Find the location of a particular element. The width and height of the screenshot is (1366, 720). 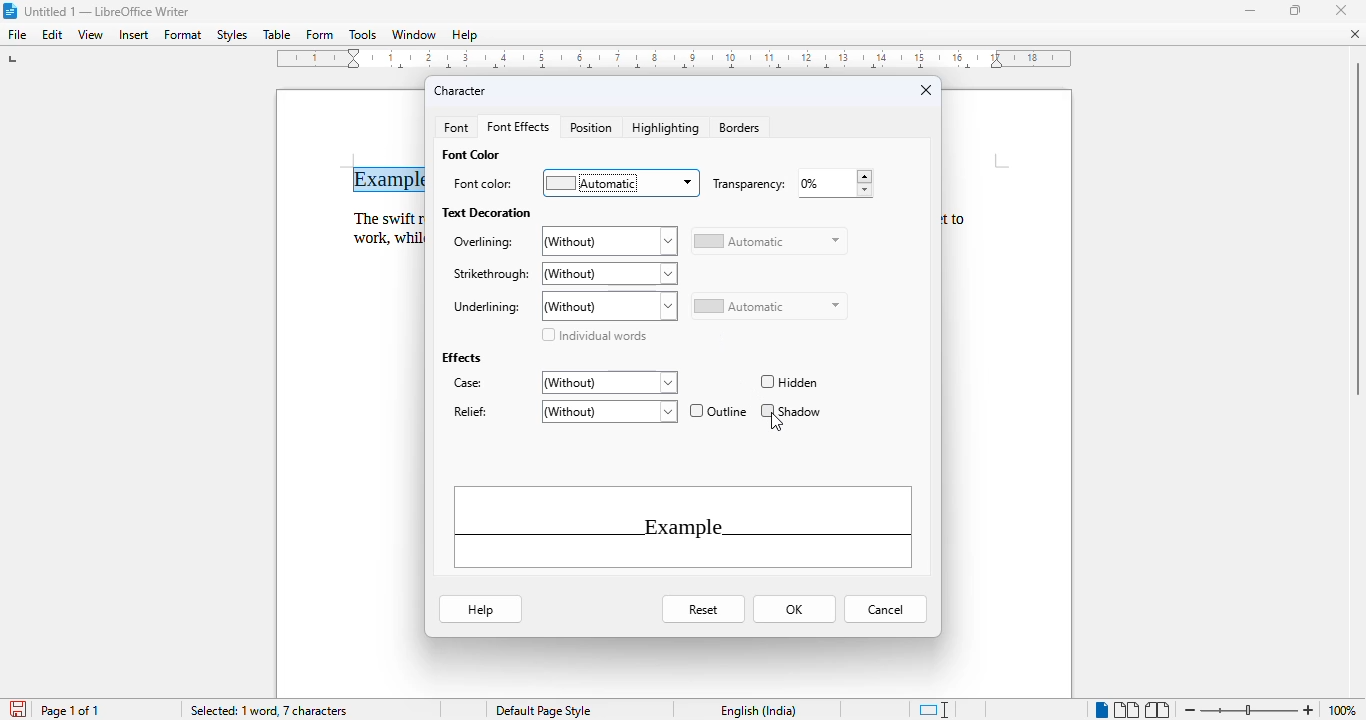

LibreOffice logo is located at coordinates (9, 11).